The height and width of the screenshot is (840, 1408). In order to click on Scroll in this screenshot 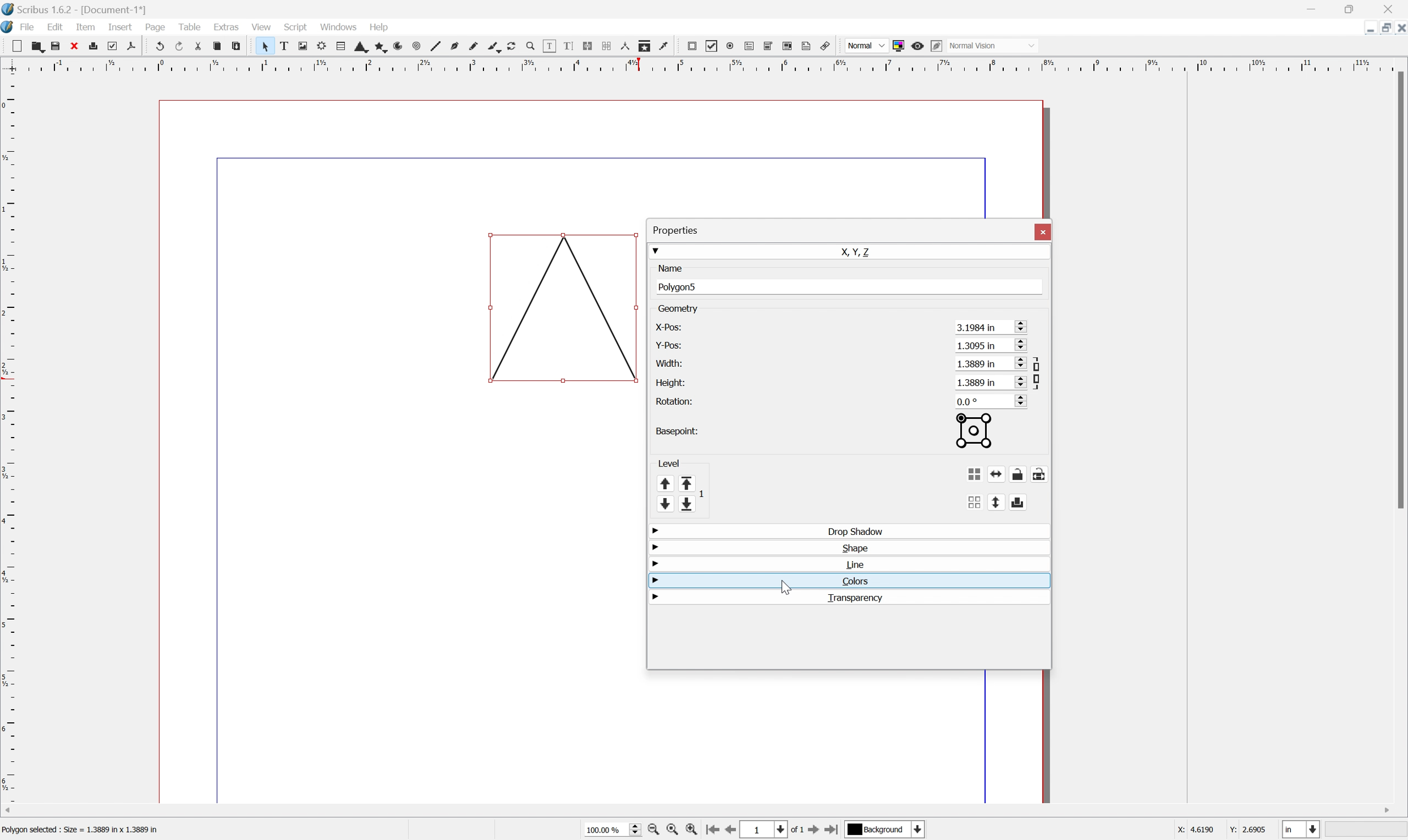, I will do `click(1018, 381)`.